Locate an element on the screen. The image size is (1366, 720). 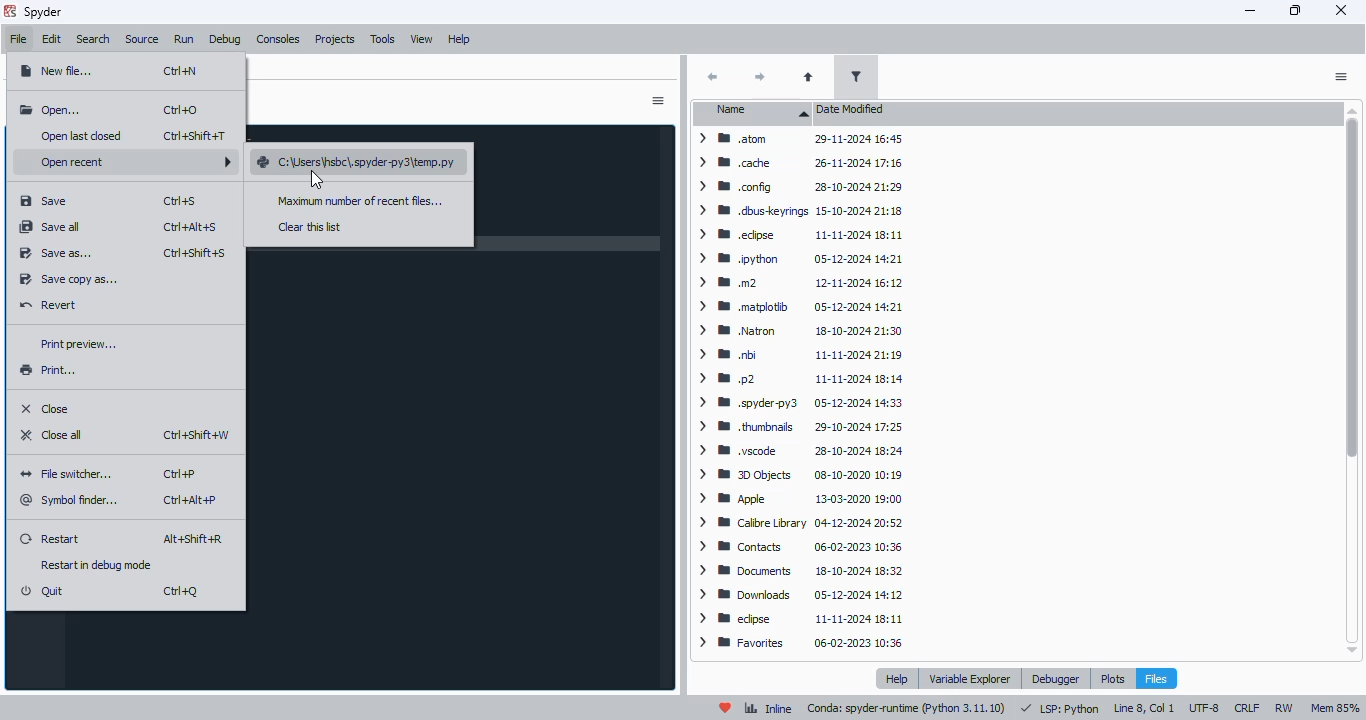
> BB atom 29-11-2024 16:45 is located at coordinates (801, 139).